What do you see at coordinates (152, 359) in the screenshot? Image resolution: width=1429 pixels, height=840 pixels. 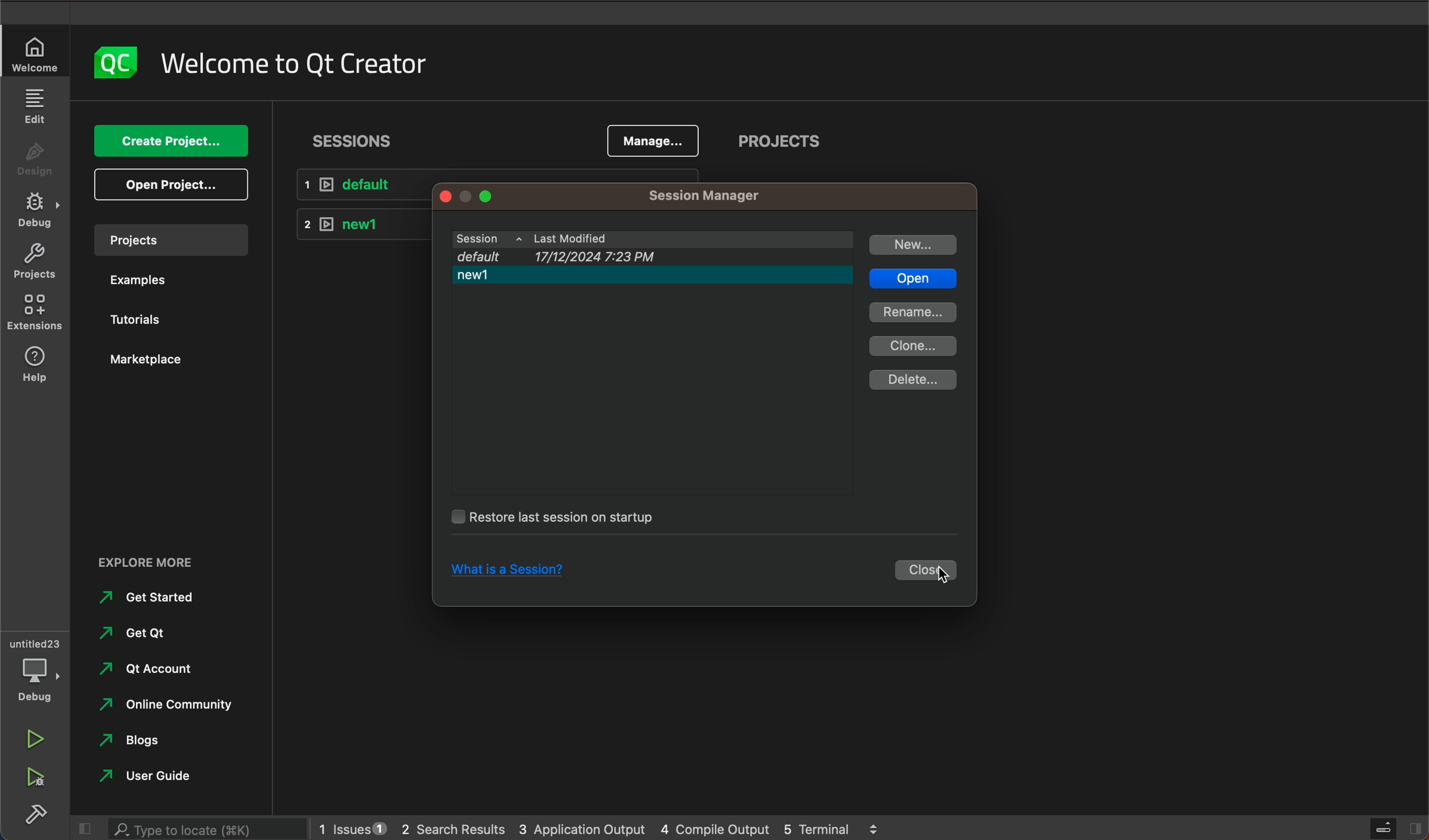 I see `marketplace` at bounding box center [152, 359].